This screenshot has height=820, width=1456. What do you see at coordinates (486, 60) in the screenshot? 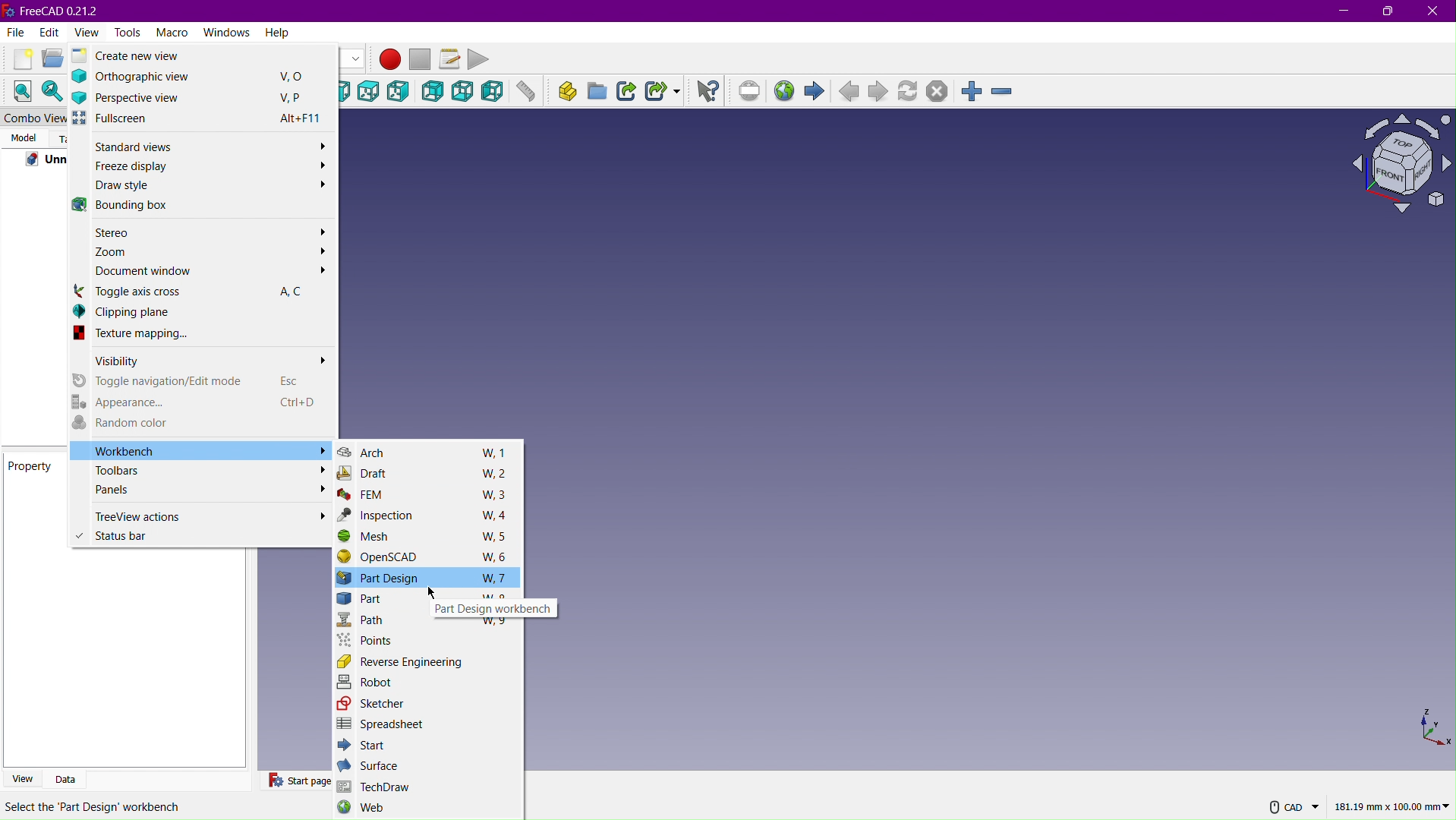
I see `Play Macro` at bounding box center [486, 60].